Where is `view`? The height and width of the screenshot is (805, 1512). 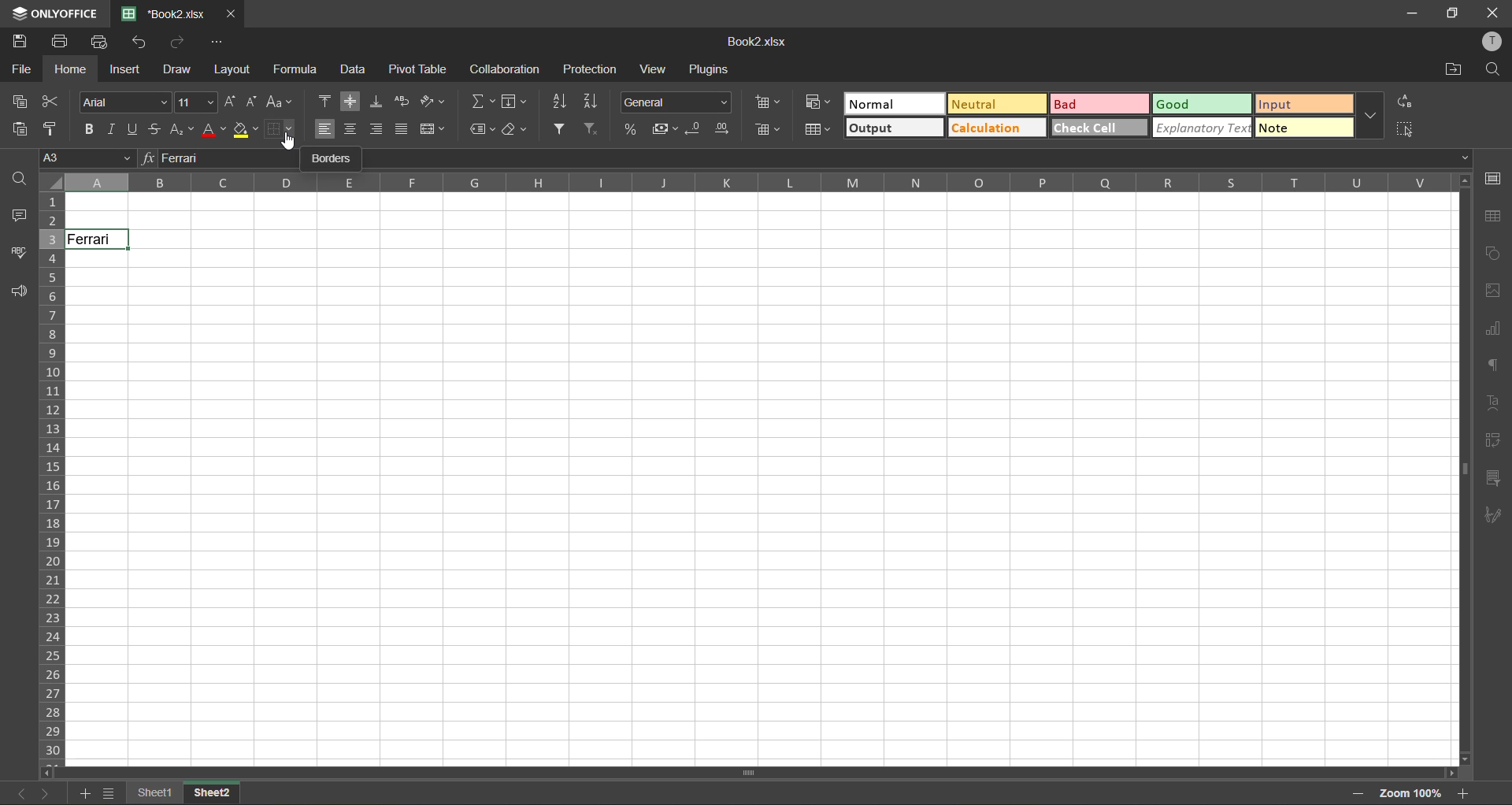
view is located at coordinates (656, 68).